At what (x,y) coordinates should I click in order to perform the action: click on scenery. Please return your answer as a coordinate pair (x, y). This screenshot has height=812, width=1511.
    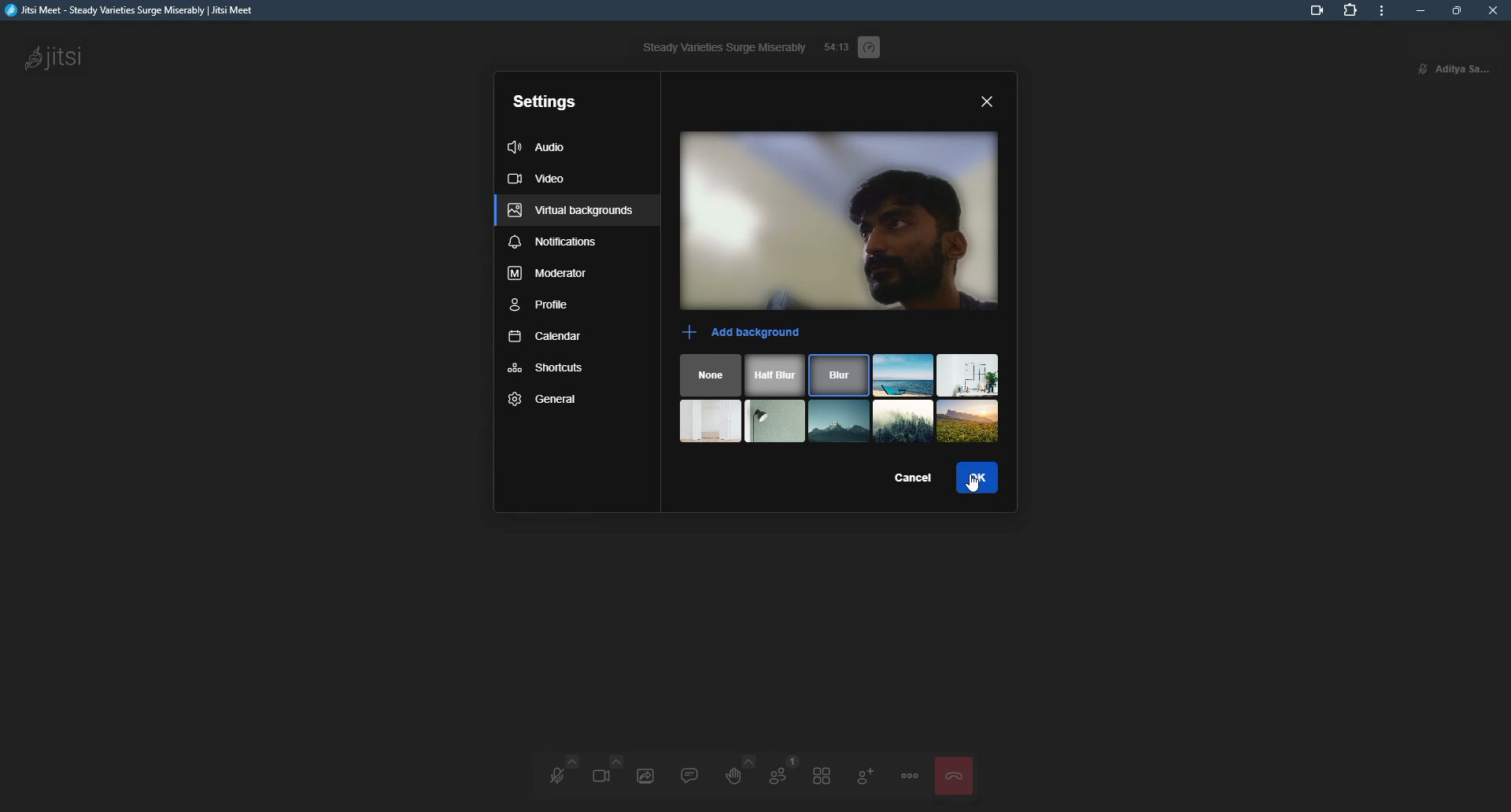
    Looking at the image, I should click on (968, 421).